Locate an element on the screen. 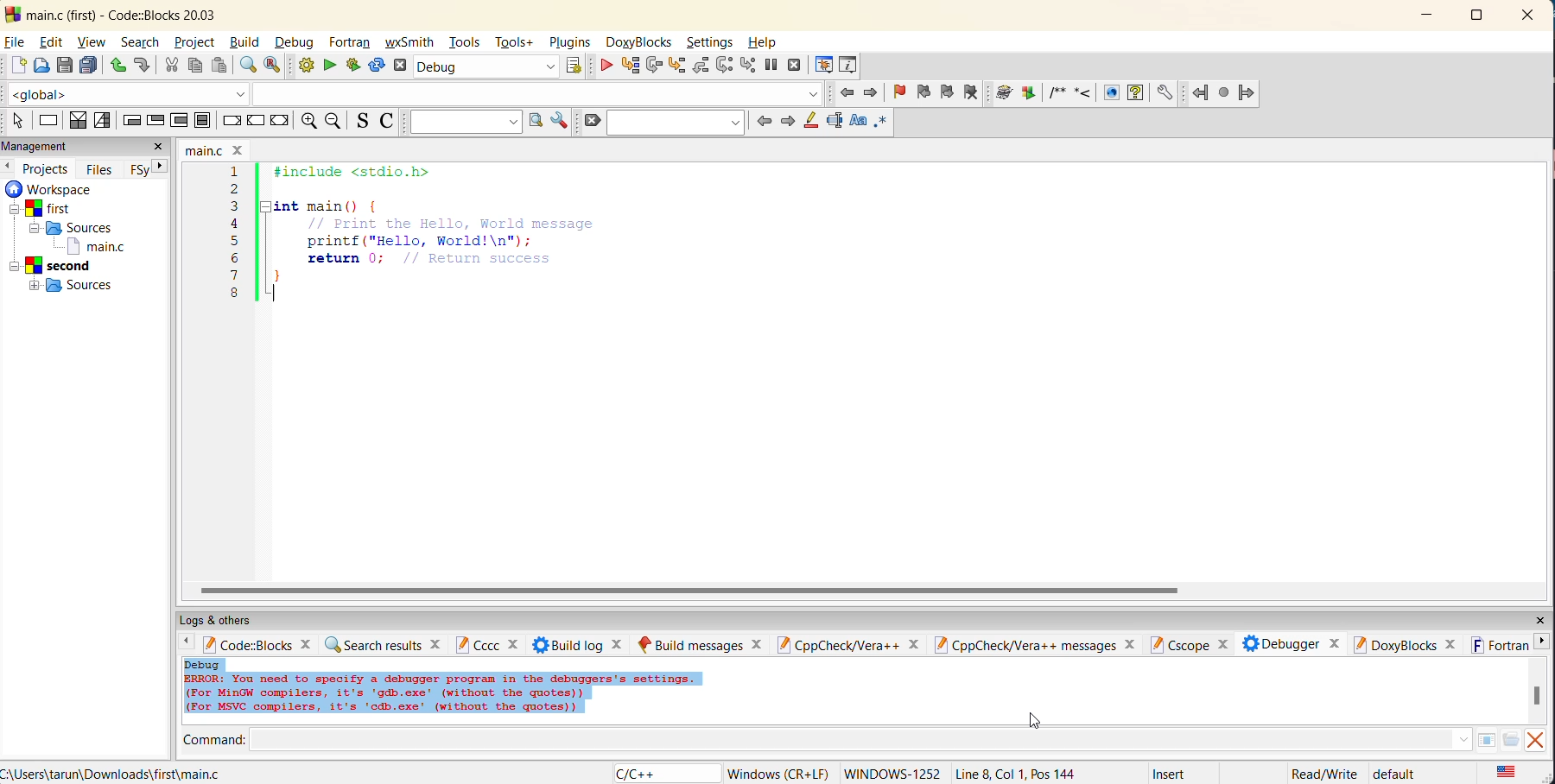 The width and height of the screenshot is (1555, 784). next is located at coordinates (788, 123).